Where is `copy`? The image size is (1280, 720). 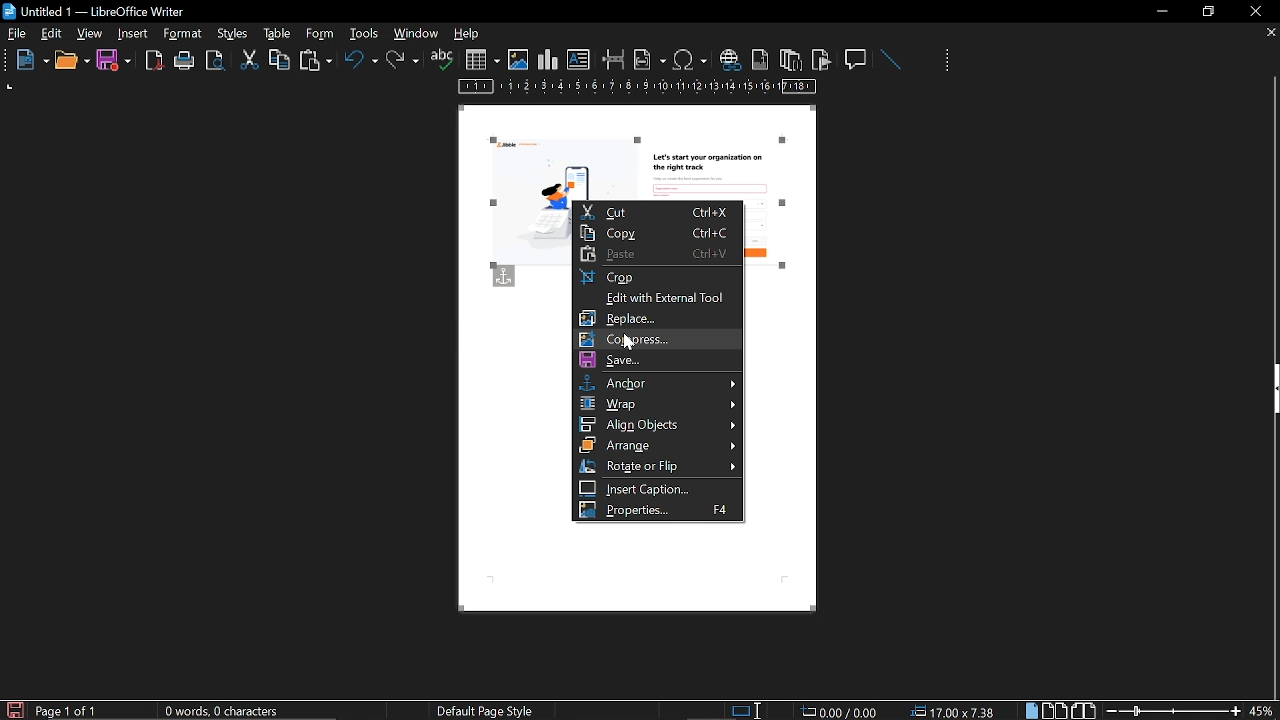
copy is located at coordinates (657, 232).